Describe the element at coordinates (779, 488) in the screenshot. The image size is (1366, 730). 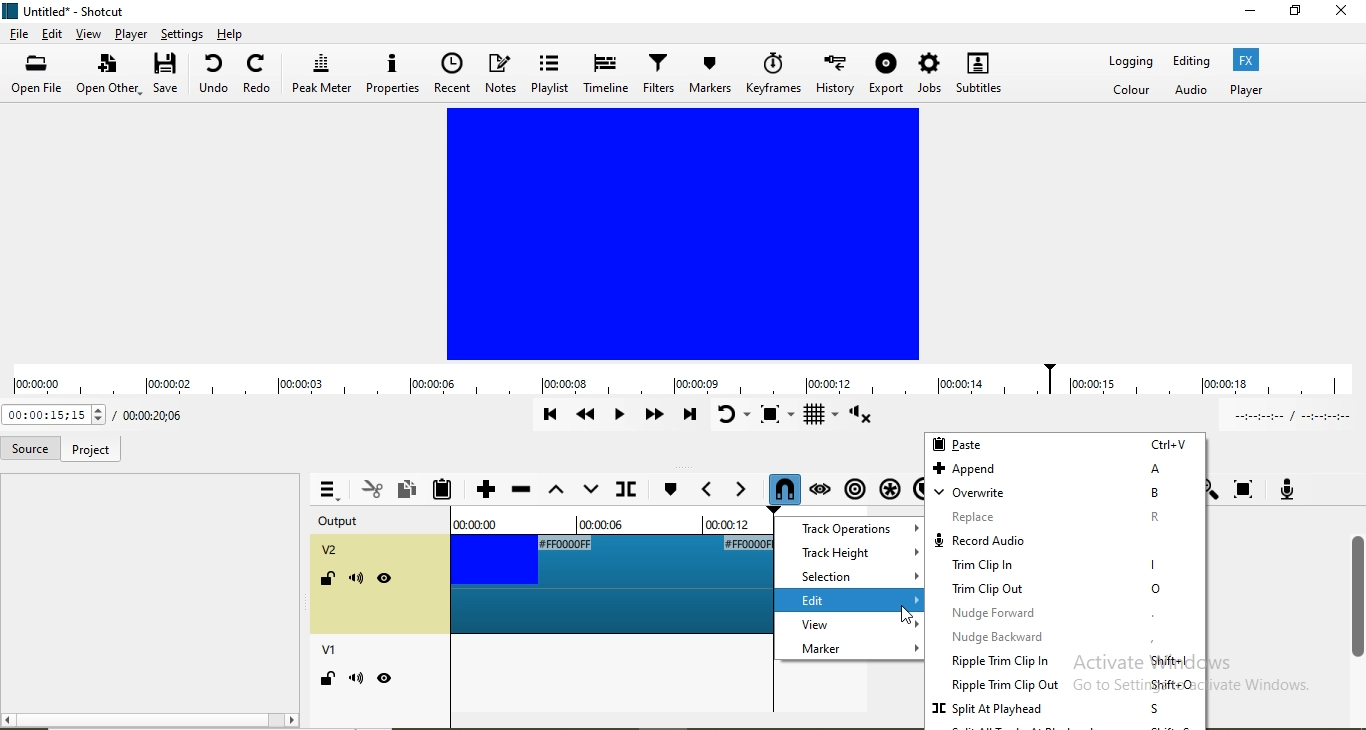
I see `Snap` at that location.